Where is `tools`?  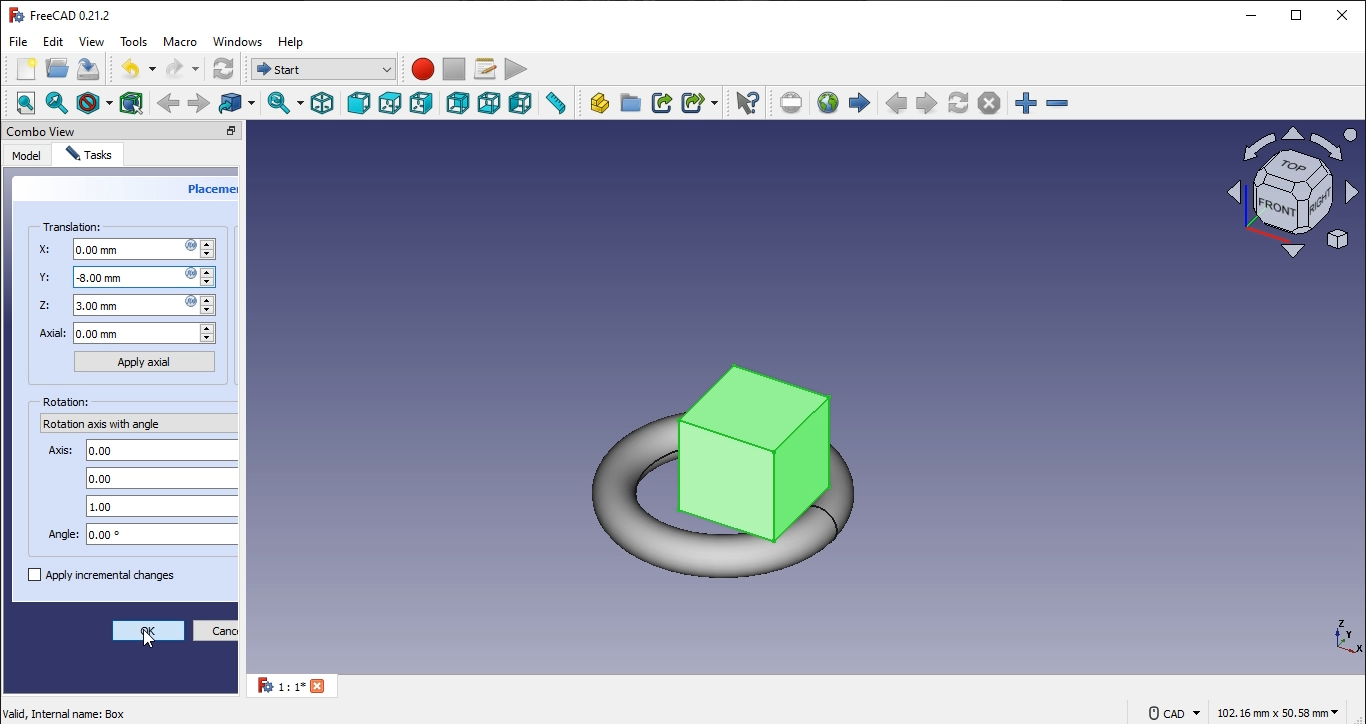 tools is located at coordinates (133, 40).